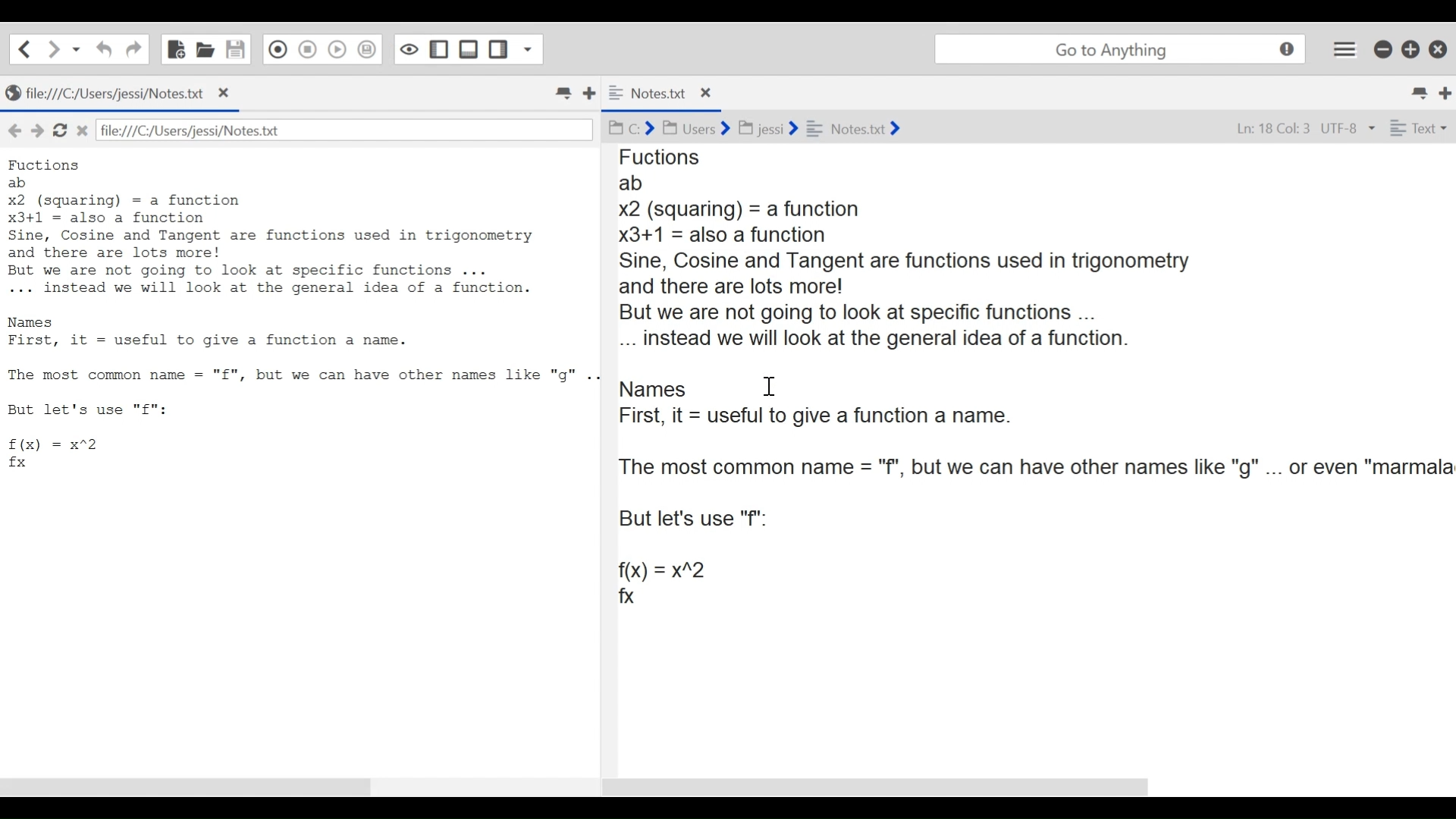  I want to click on Notes.txt, so click(651, 93).